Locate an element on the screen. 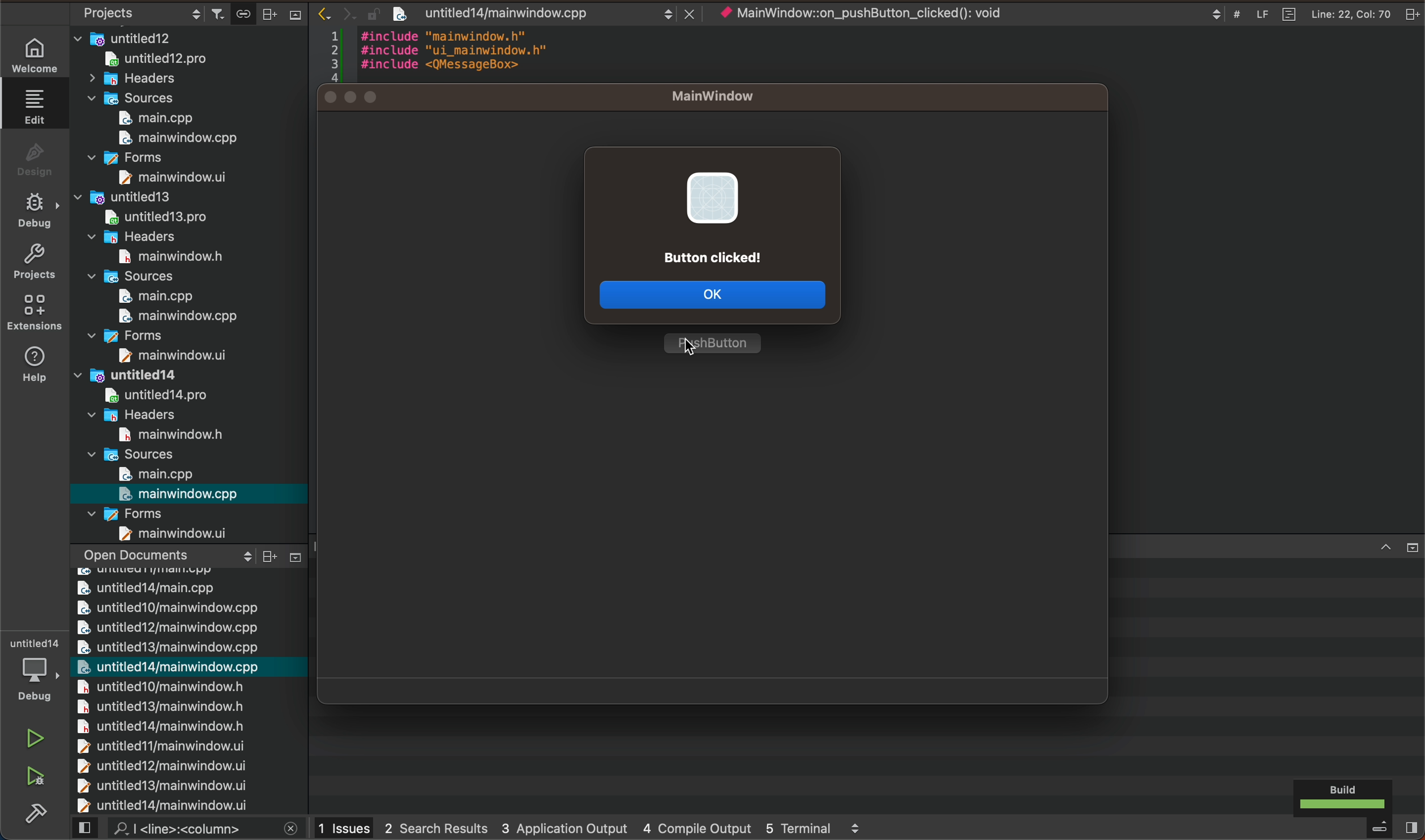 The width and height of the screenshot is (1425, 840). forms is located at coordinates (136, 512).